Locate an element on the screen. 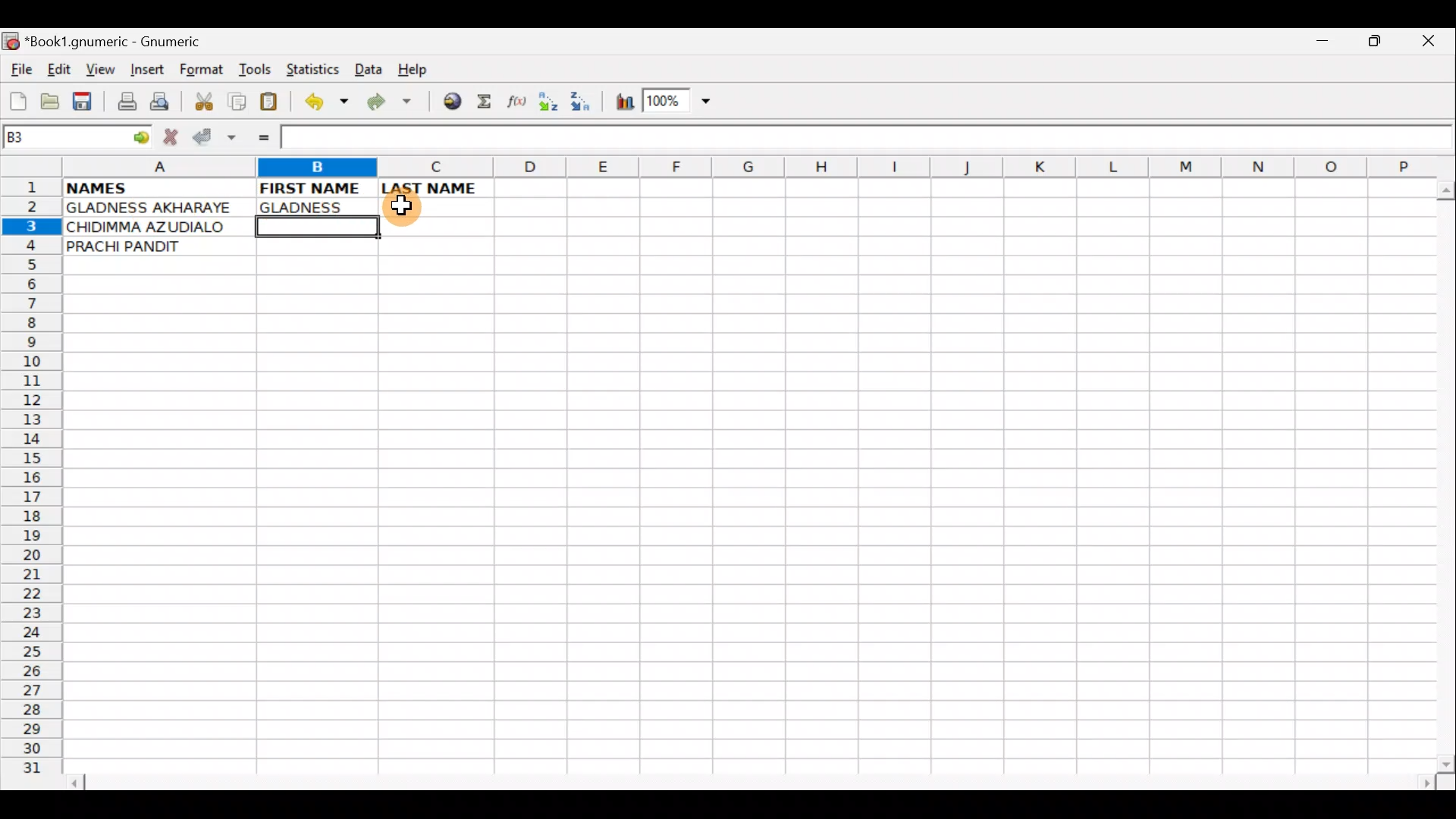 This screenshot has width=1456, height=819. Format is located at coordinates (205, 71).